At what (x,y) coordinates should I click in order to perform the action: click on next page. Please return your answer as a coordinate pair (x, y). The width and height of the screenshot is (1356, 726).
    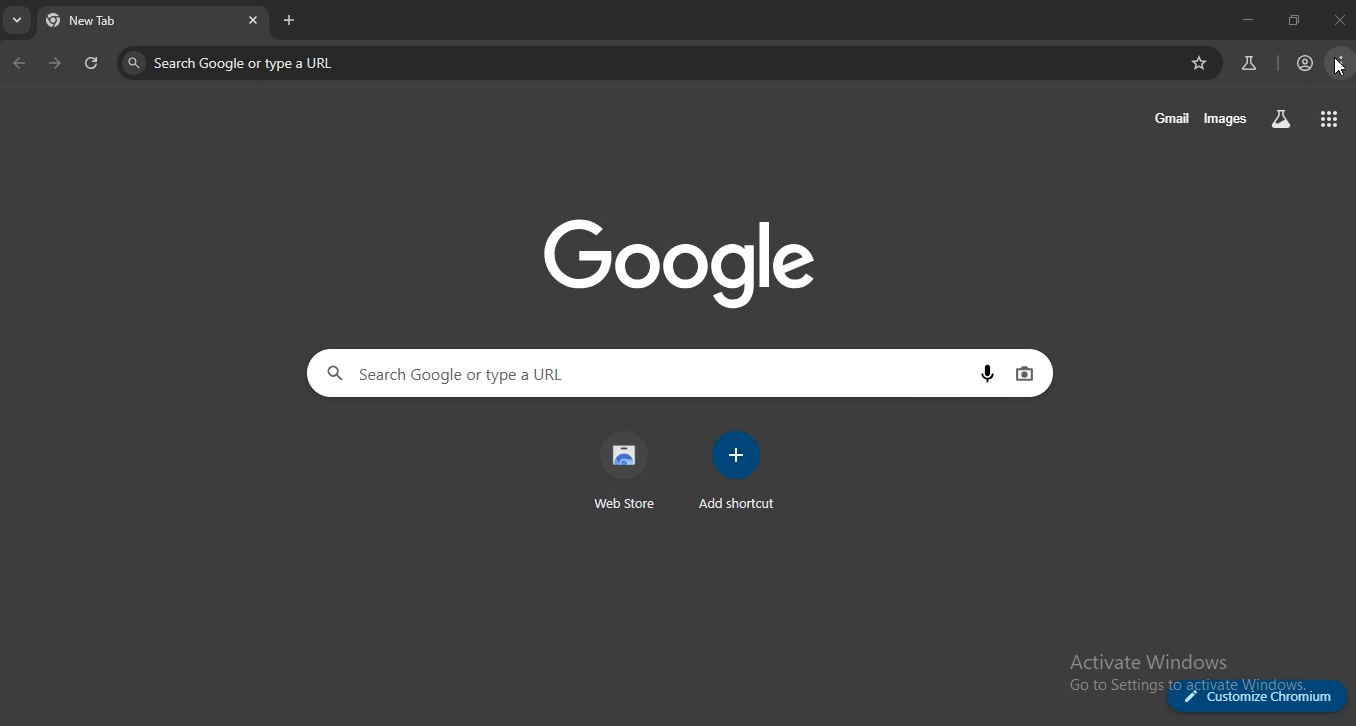
    Looking at the image, I should click on (56, 65).